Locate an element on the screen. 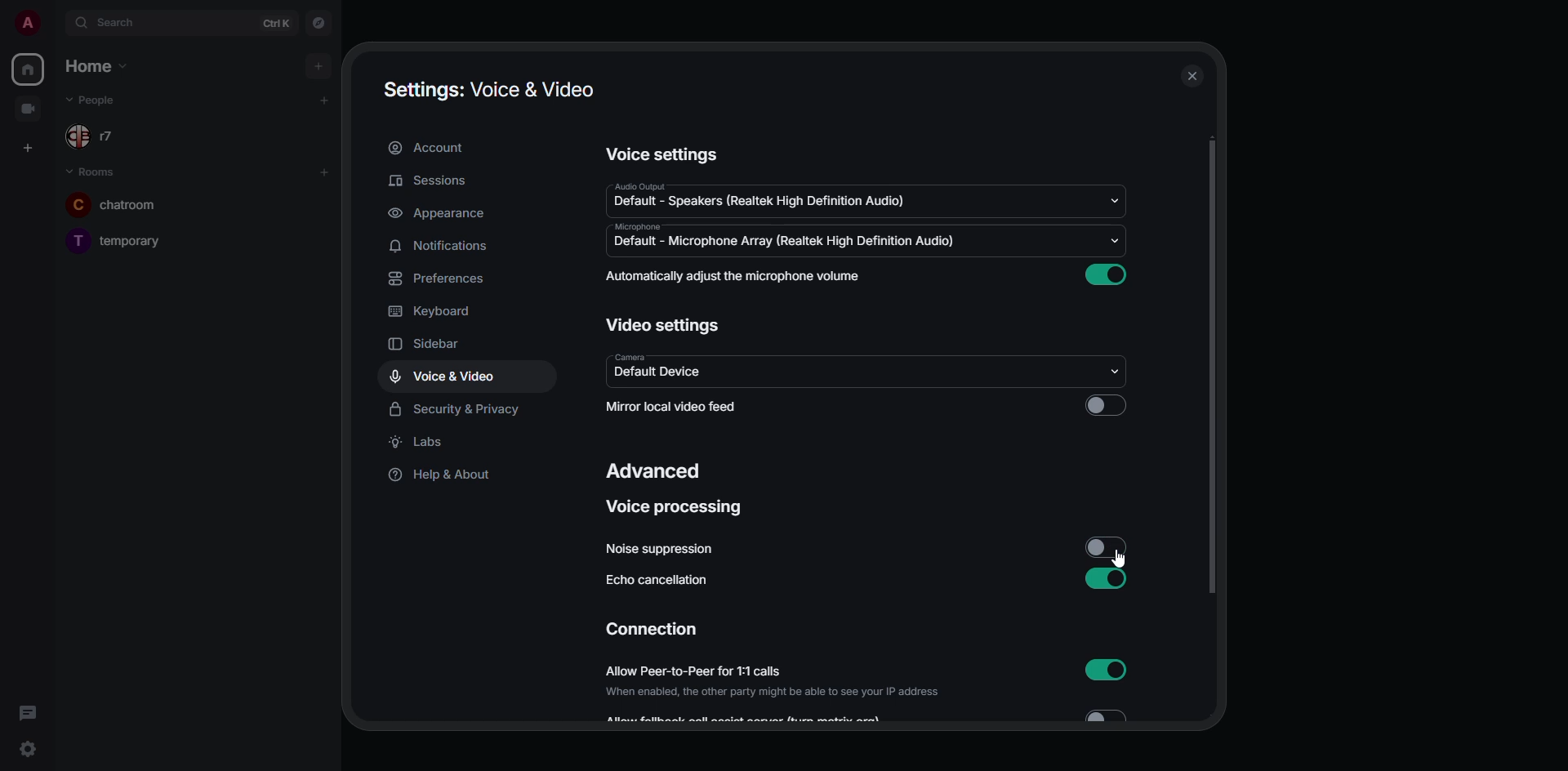 The height and width of the screenshot is (771, 1568). video settings is located at coordinates (664, 325).